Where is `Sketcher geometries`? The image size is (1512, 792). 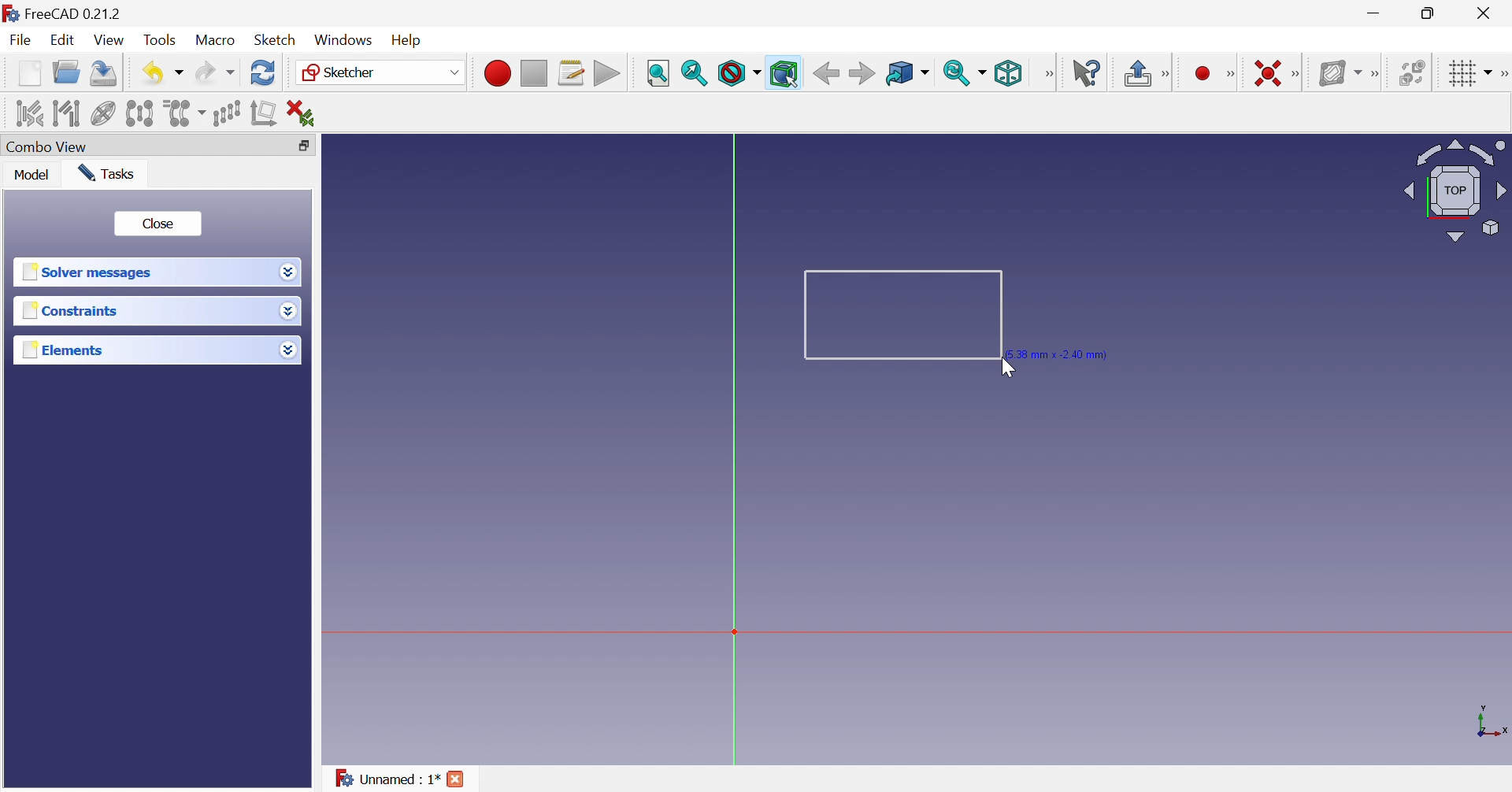 Sketcher geometries is located at coordinates (1233, 75).